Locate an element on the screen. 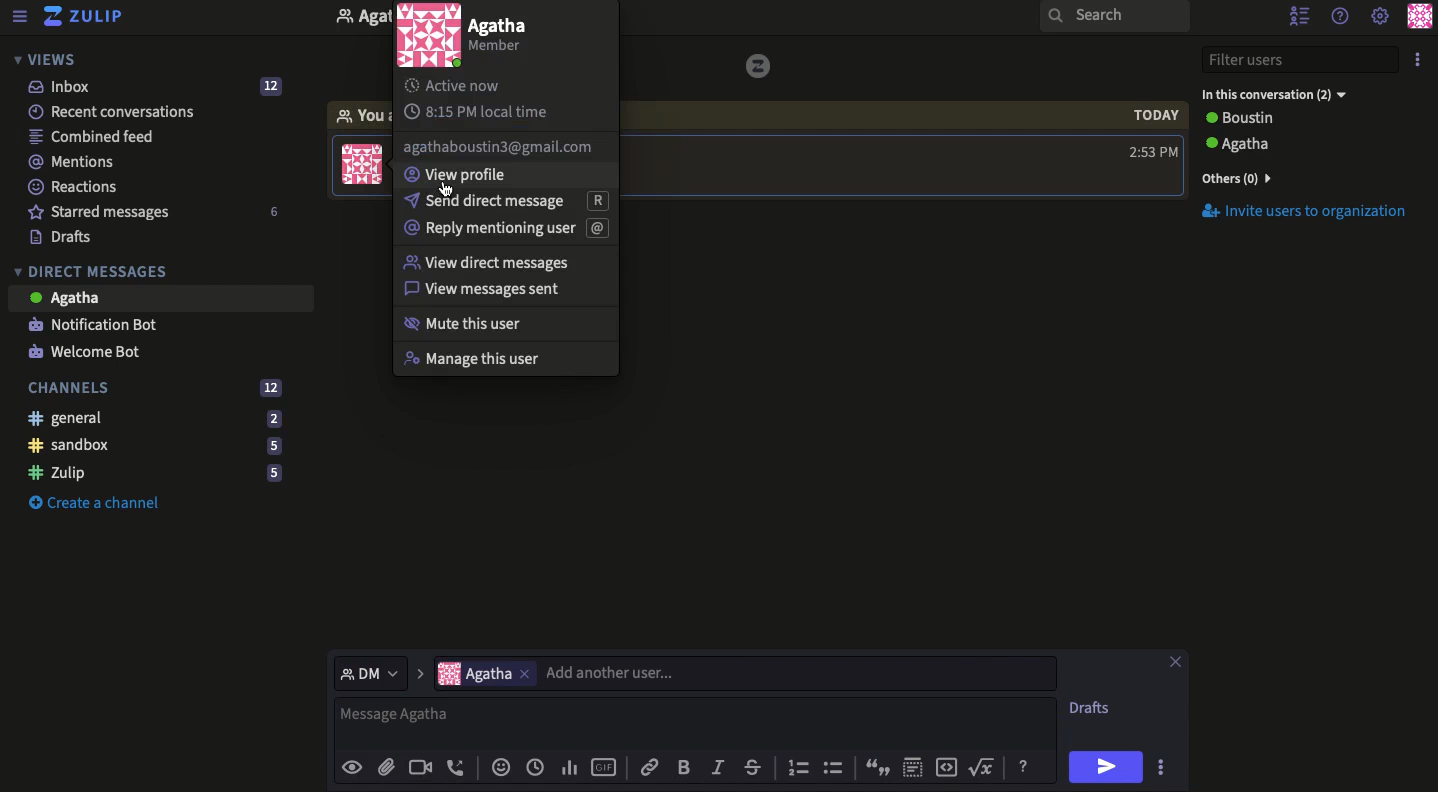  Time is located at coordinates (1155, 152).